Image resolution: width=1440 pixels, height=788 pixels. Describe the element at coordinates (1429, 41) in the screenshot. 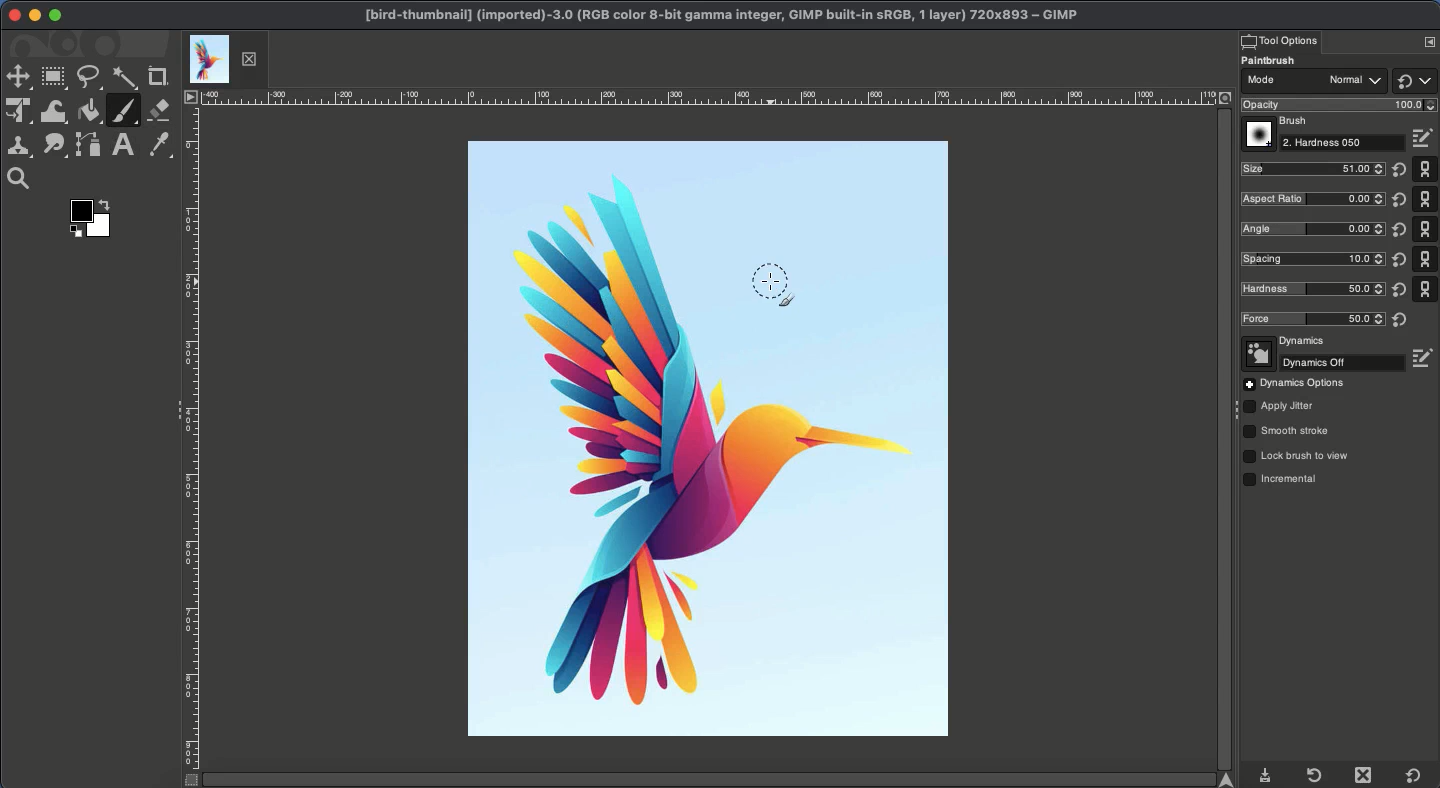

I see `Options` at that location.